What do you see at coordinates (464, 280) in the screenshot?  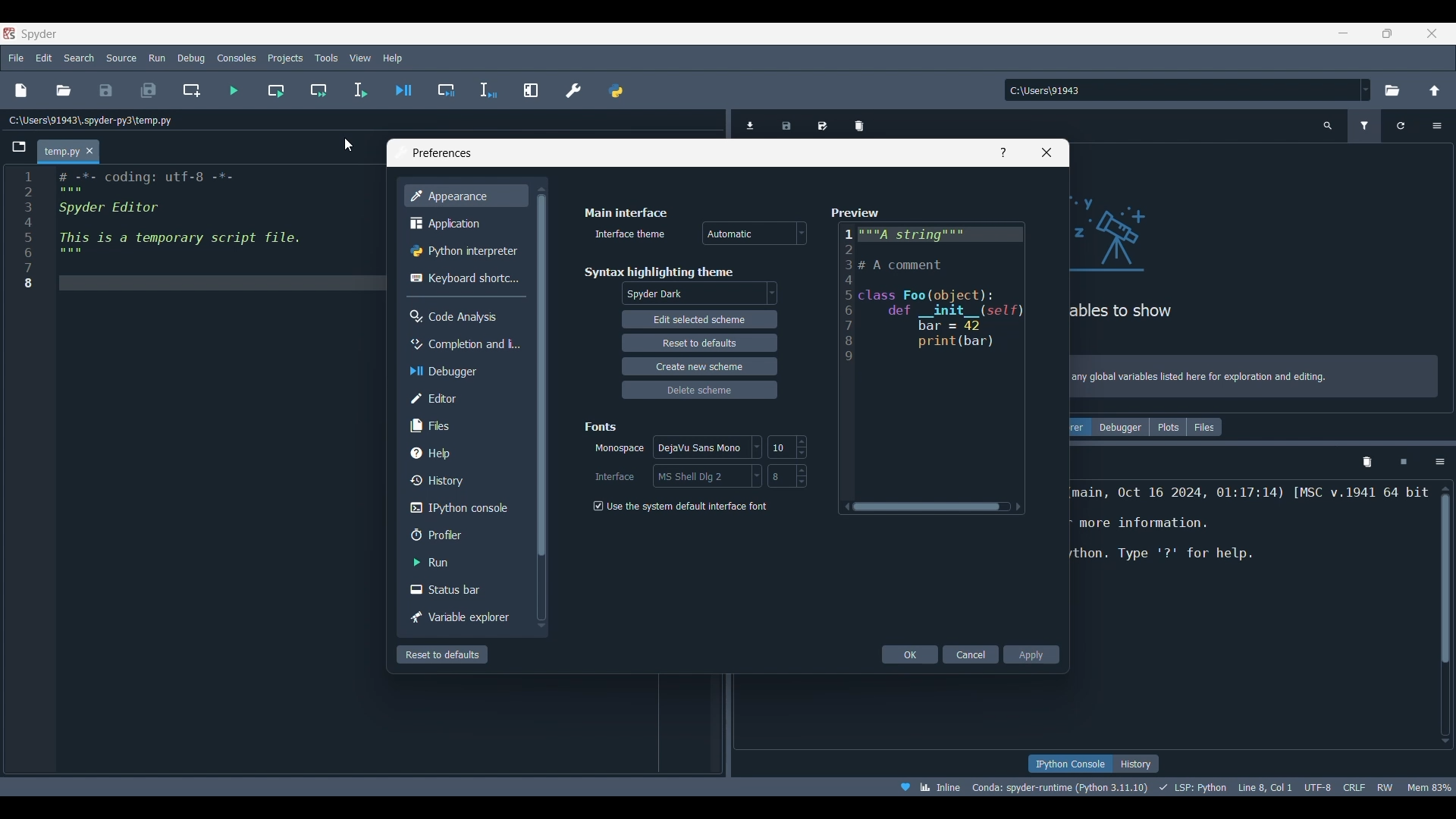 I see `Keyboard shortcut` at bounding box center [464, 280].